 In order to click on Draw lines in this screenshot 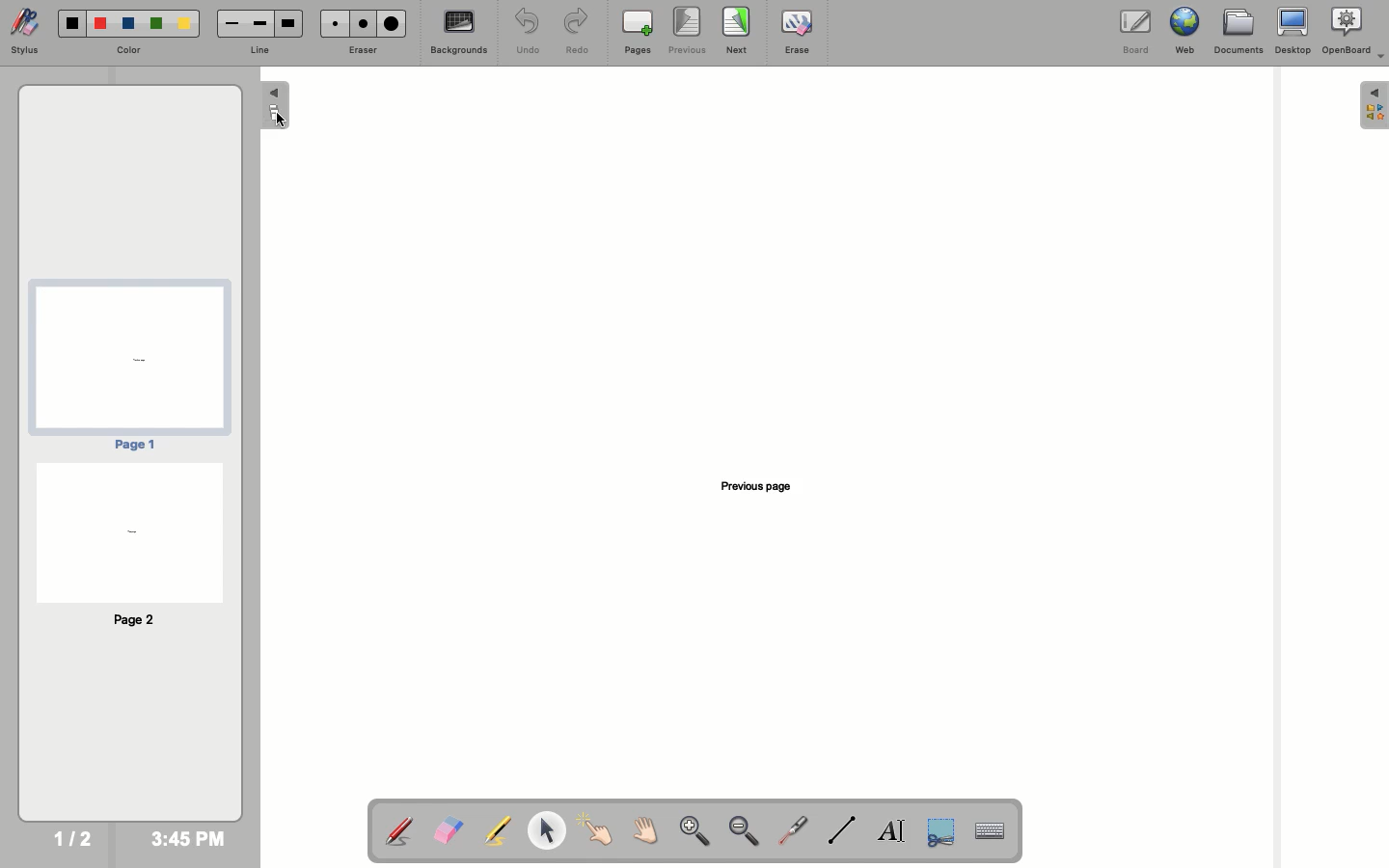, I will do `click(841, 830)`.